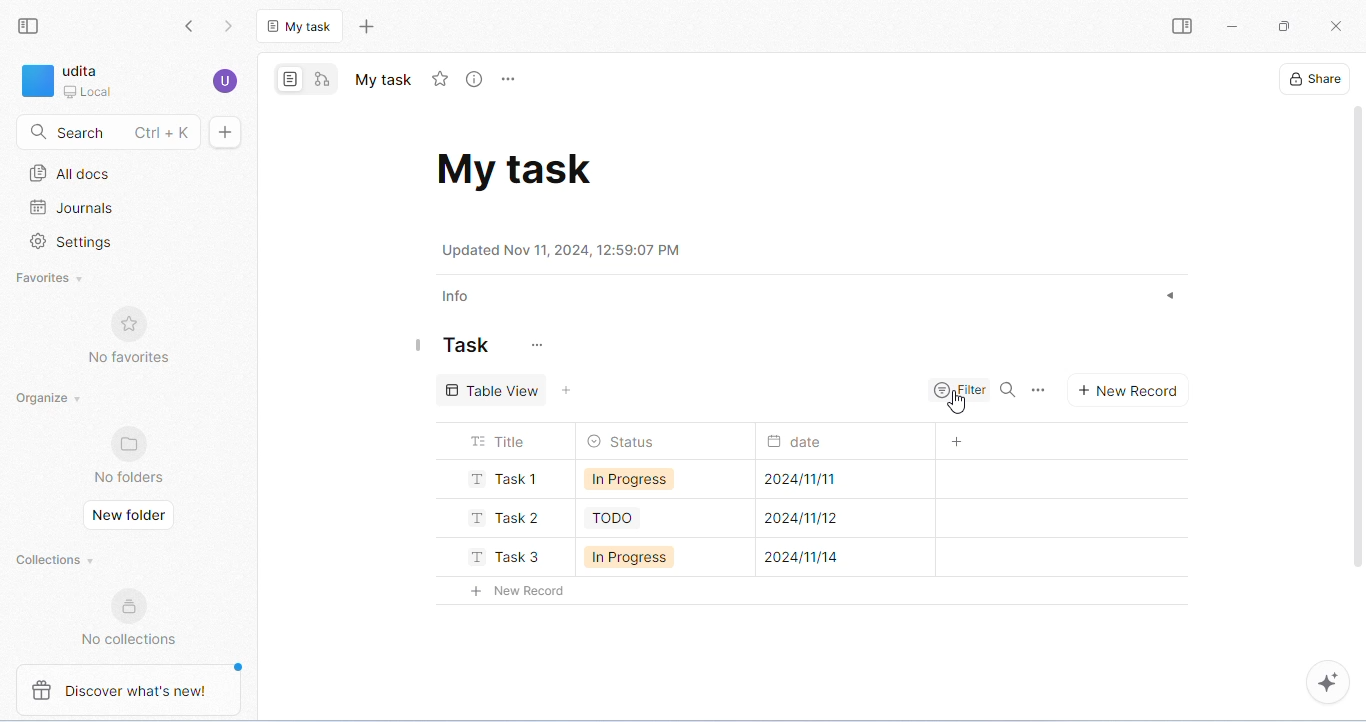 This screenshot has height=722, width=1366. What do you see at coordinates (302, 25) in the screenshot?
I see `current tab` at bounding box center [302, 25].